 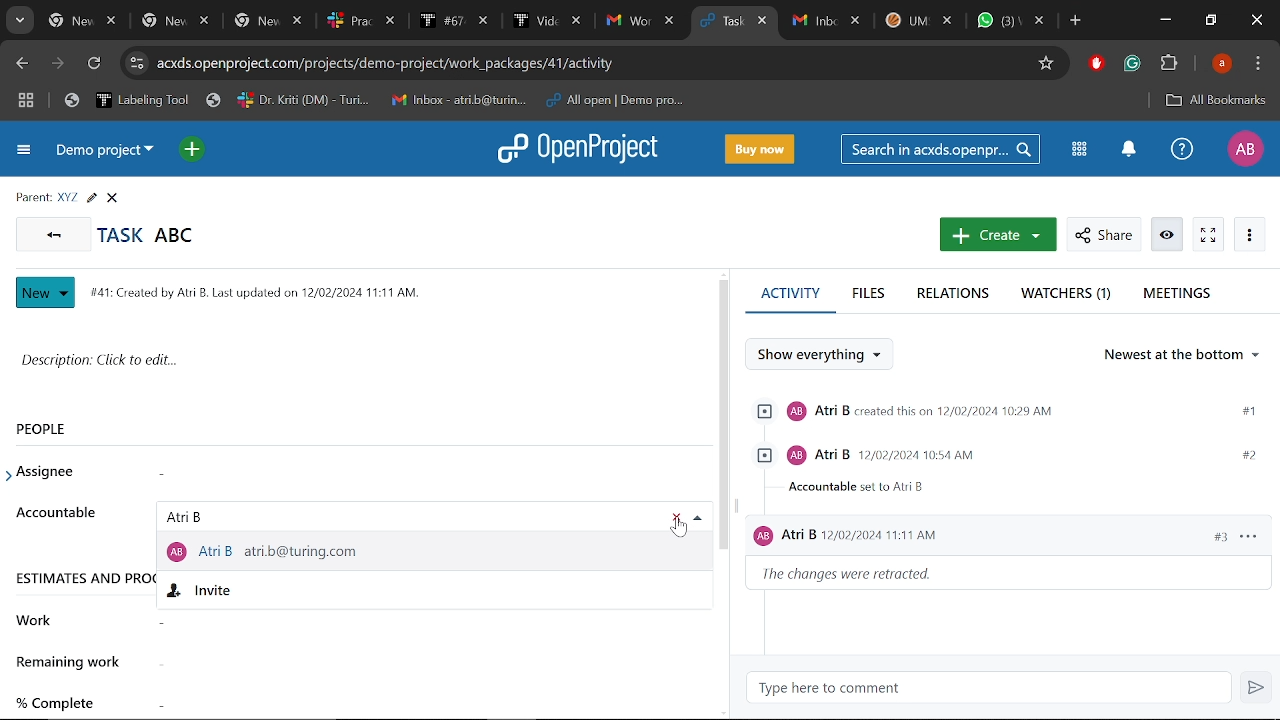 I want to click on Go to previous page, so click(x=52, y=233).